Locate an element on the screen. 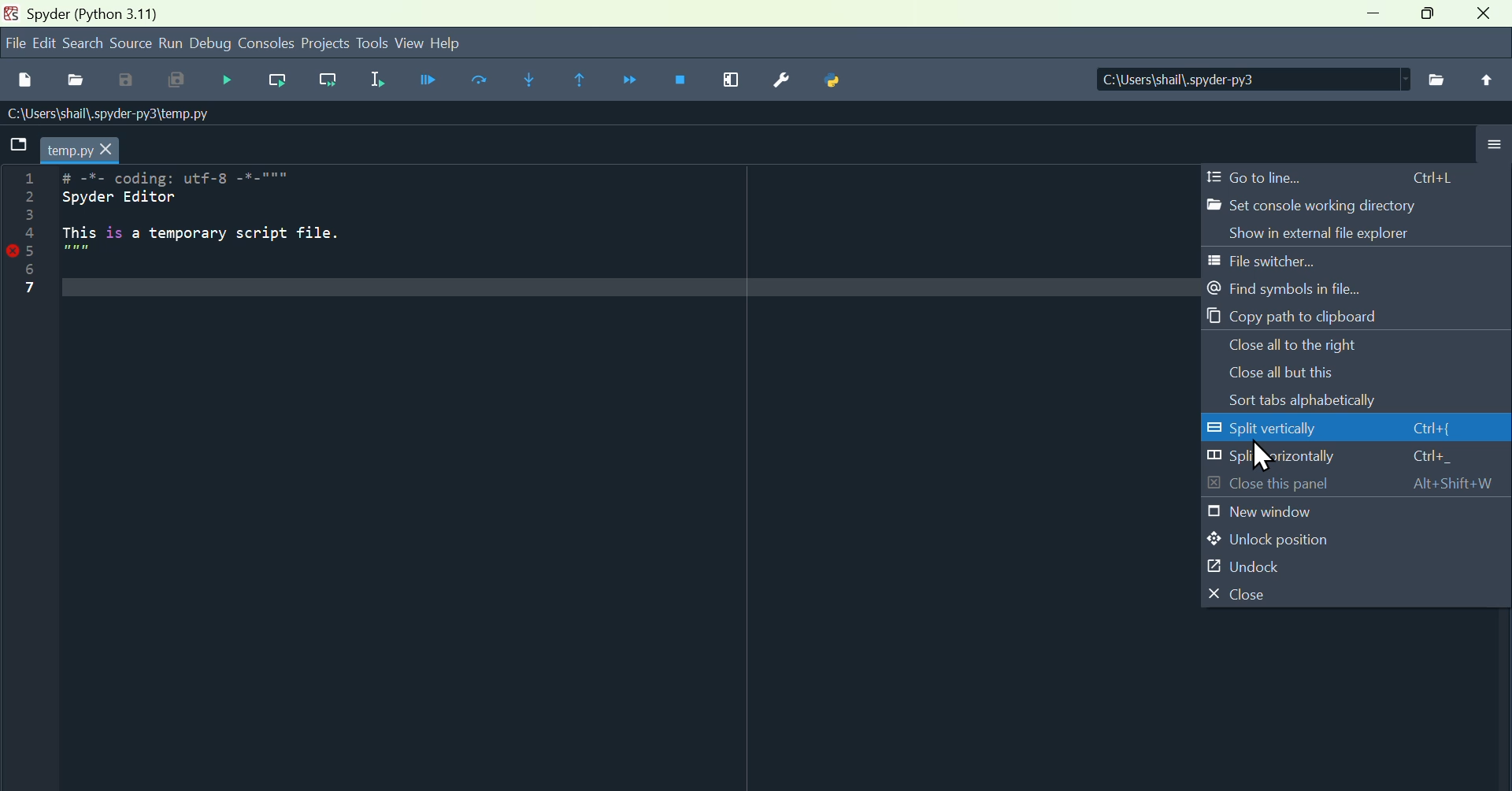  open file is located at coordinates (80, 82).